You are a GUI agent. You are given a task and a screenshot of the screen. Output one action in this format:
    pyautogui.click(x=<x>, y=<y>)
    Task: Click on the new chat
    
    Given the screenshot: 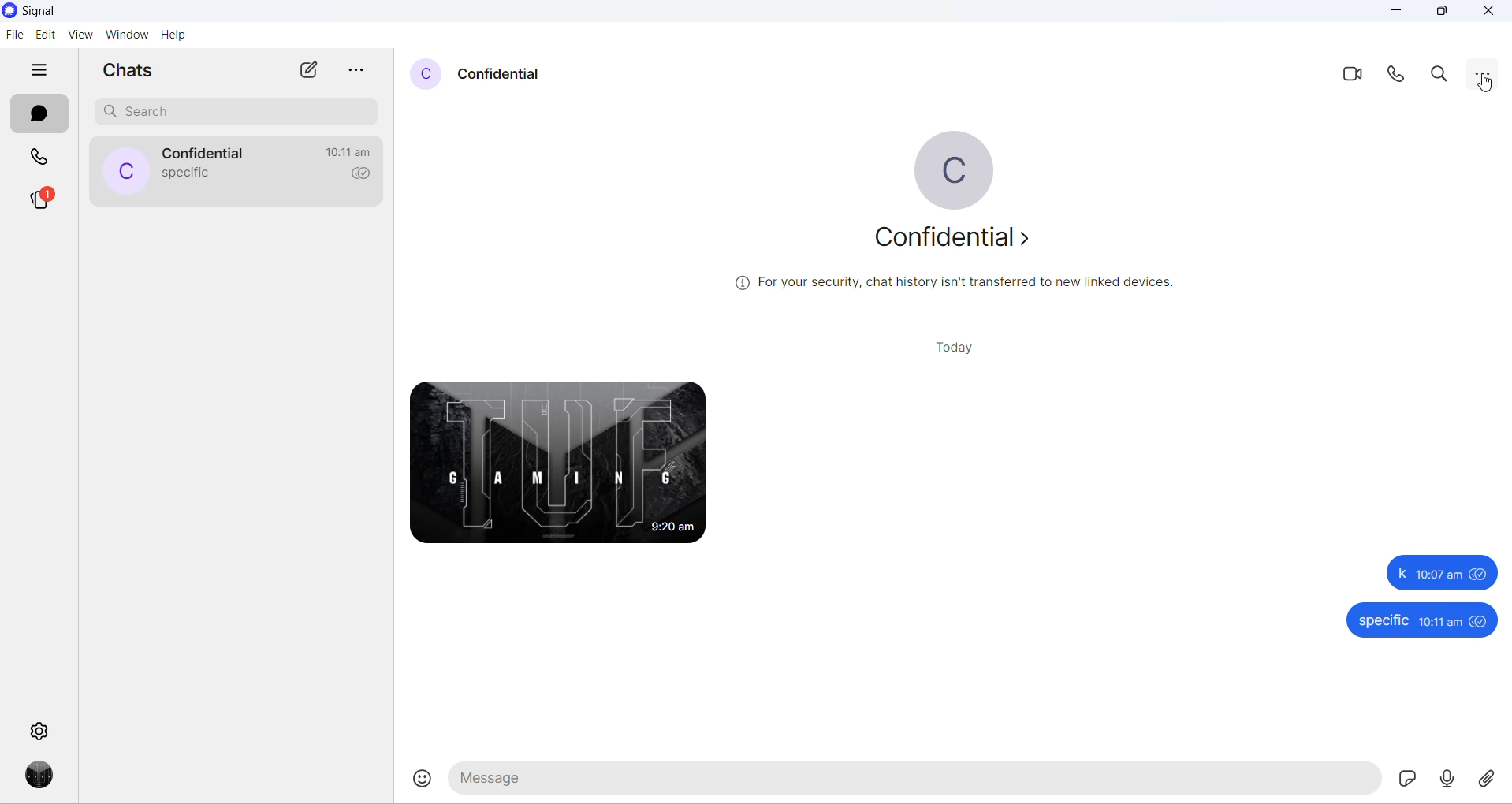 What is the action you would take?
    pyautogui.click(x=307, y=71)
    